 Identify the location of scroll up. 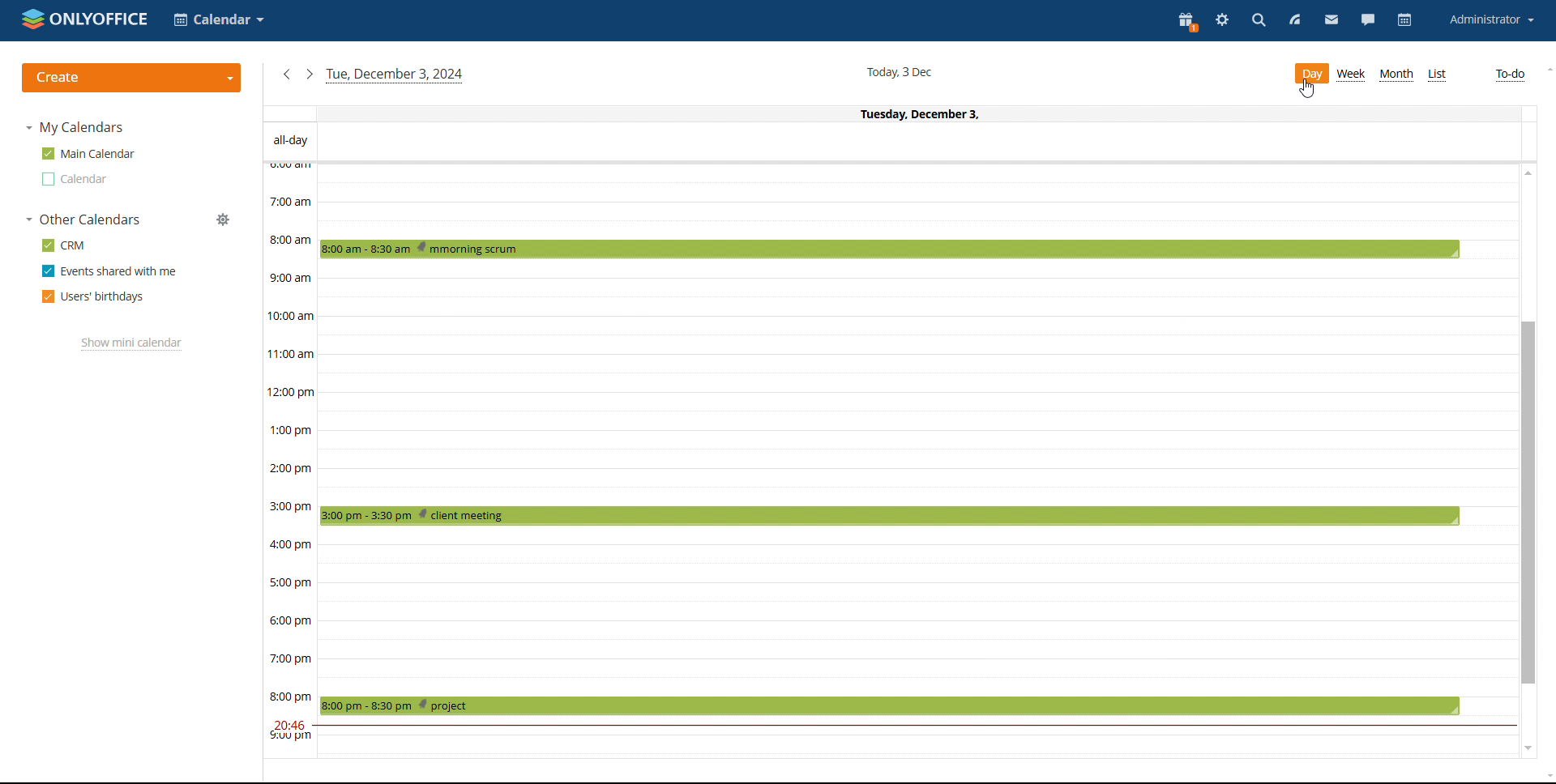
(1546, 70).